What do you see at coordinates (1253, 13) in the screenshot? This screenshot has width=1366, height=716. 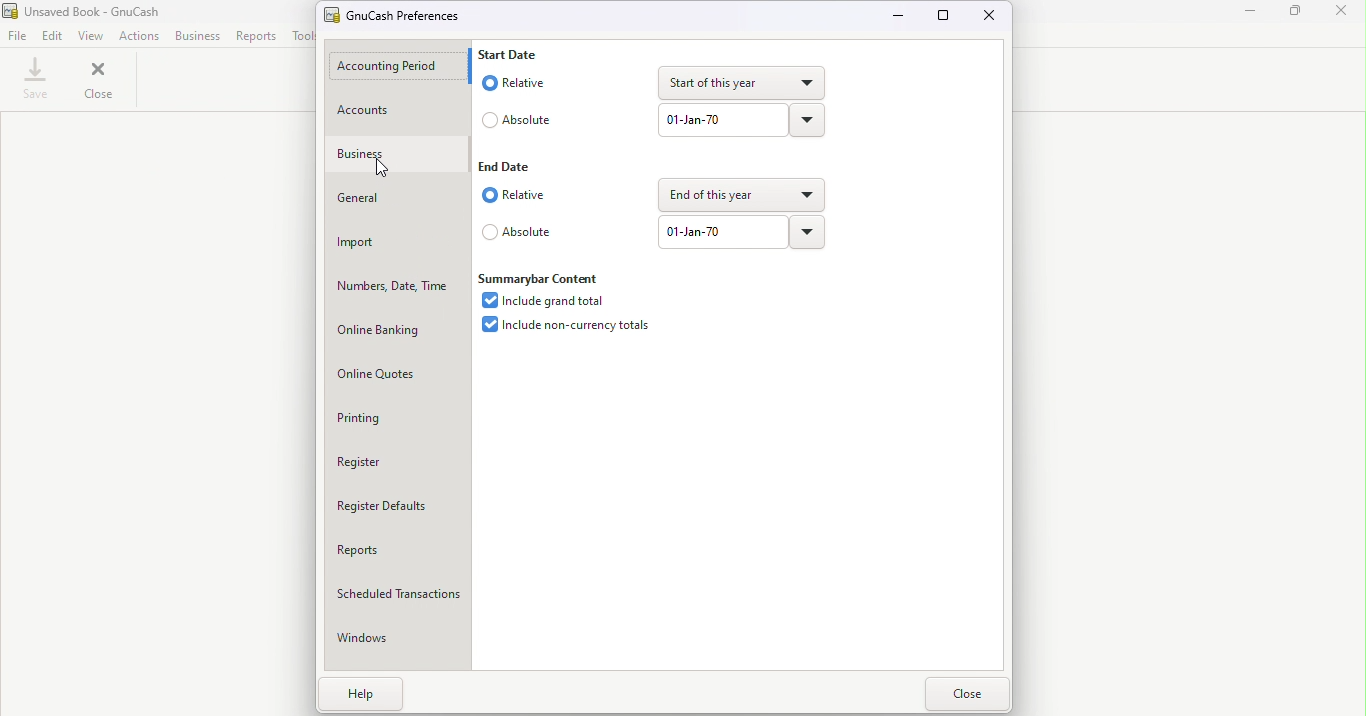 I see `Minimize` at bounding box center [1253, 13].